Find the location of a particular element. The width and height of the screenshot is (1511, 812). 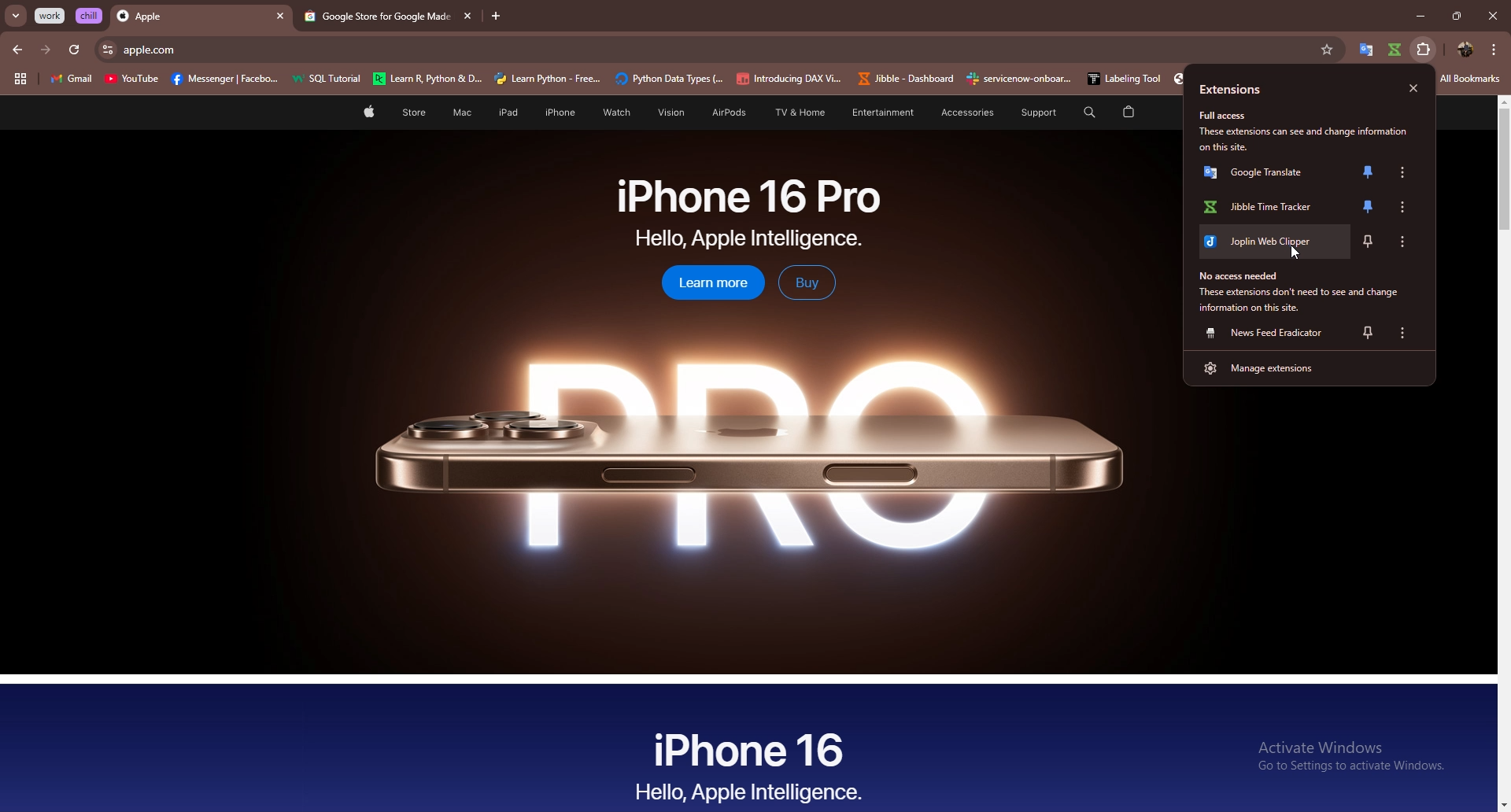

Support is located at coordinates (1032, 113).